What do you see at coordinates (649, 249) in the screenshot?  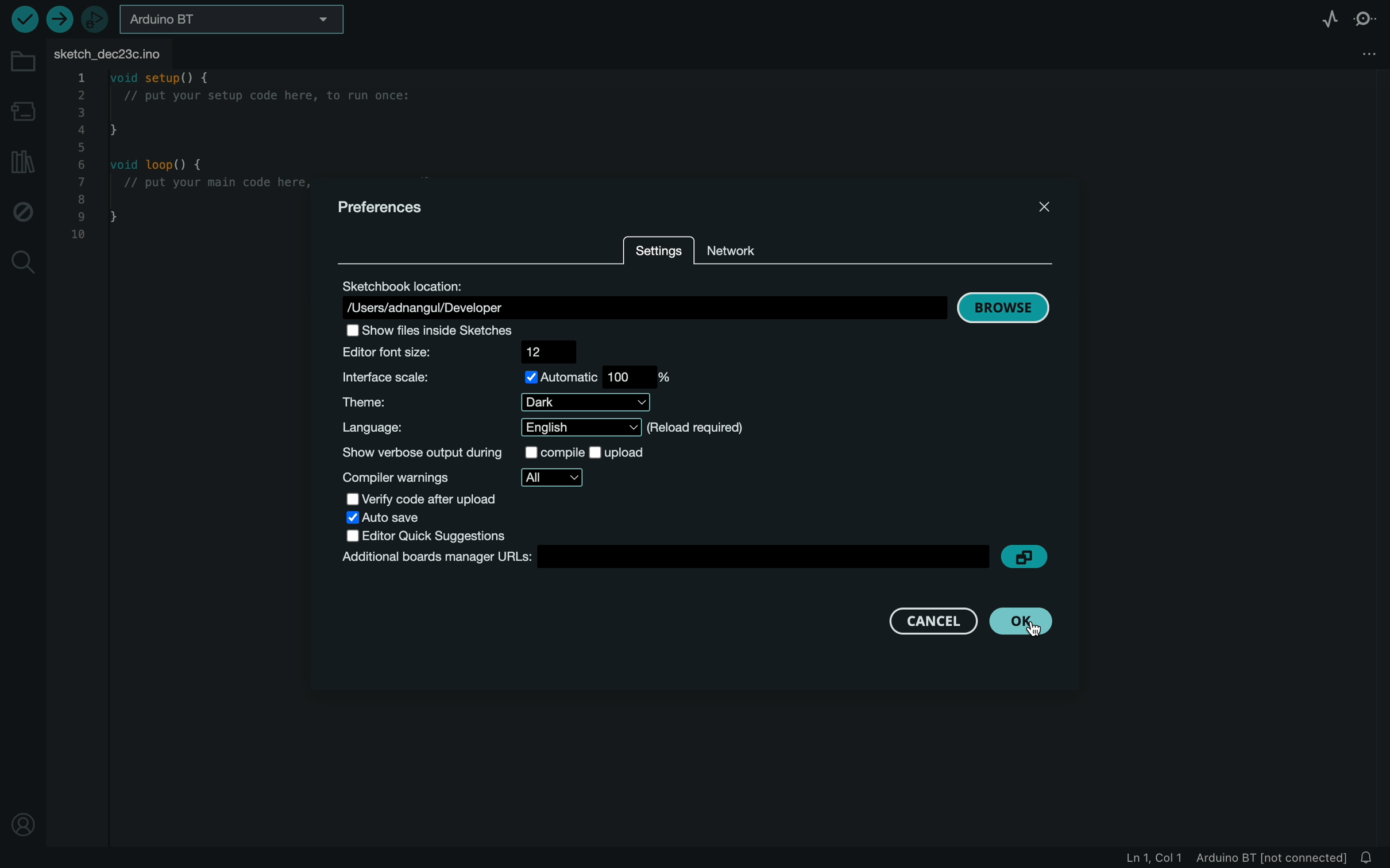 I see `setting` at bounding box center [649, 249].